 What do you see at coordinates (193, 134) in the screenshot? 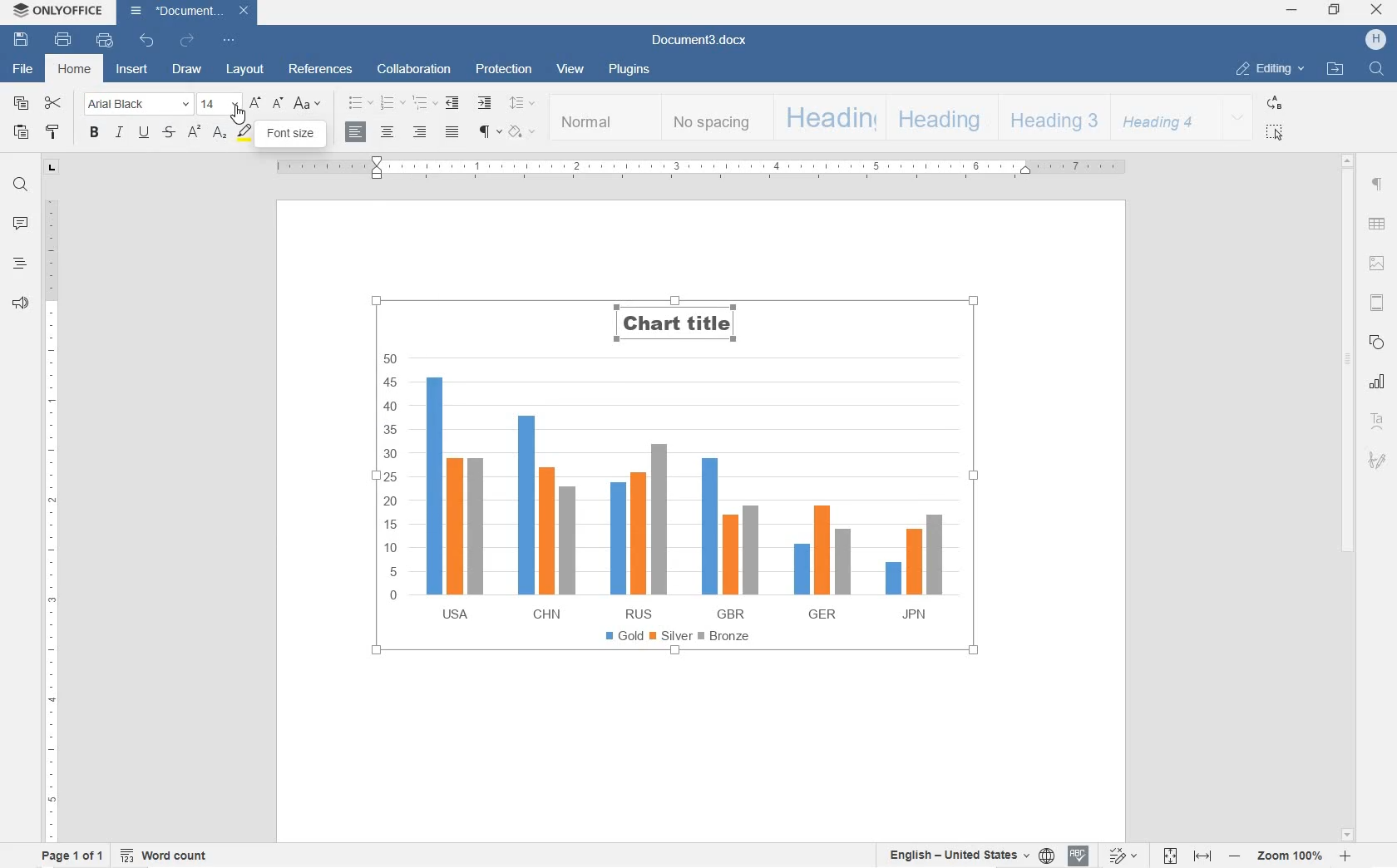
I see `SUPERSCRIPT` at bounding box center [193, 134].